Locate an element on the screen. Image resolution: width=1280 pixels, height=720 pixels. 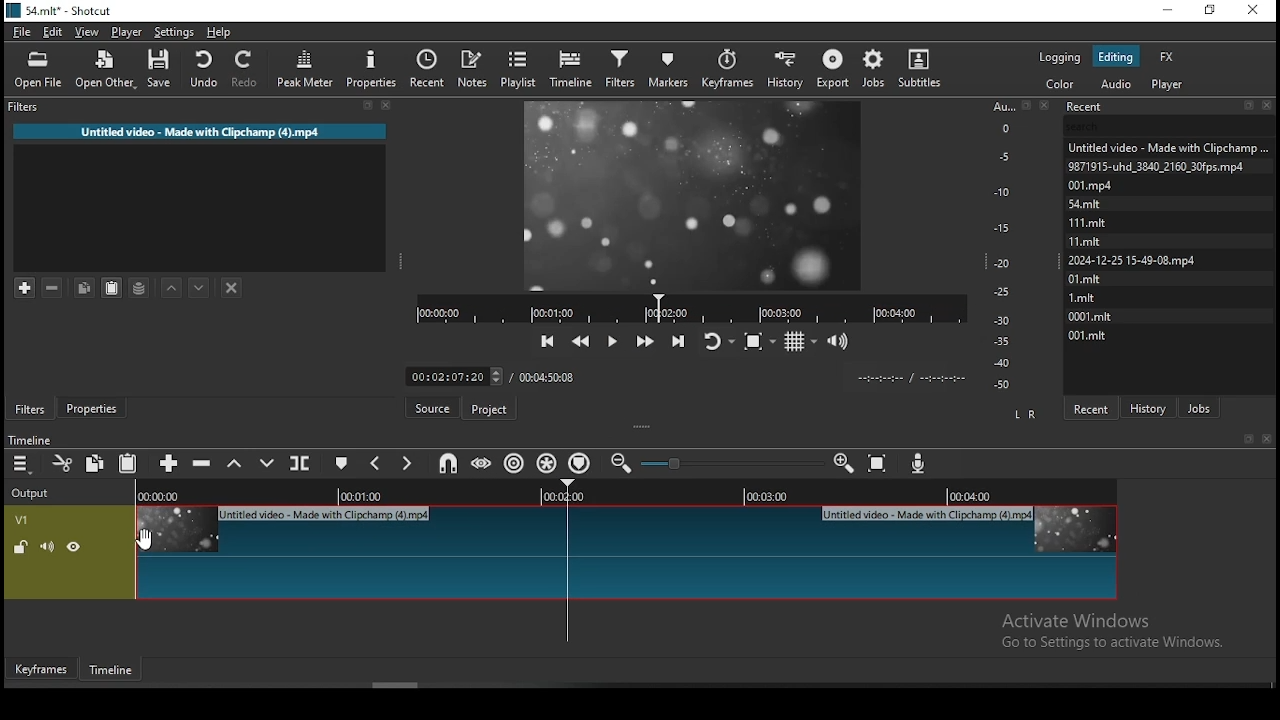
file is located at coordinates (20, 32).